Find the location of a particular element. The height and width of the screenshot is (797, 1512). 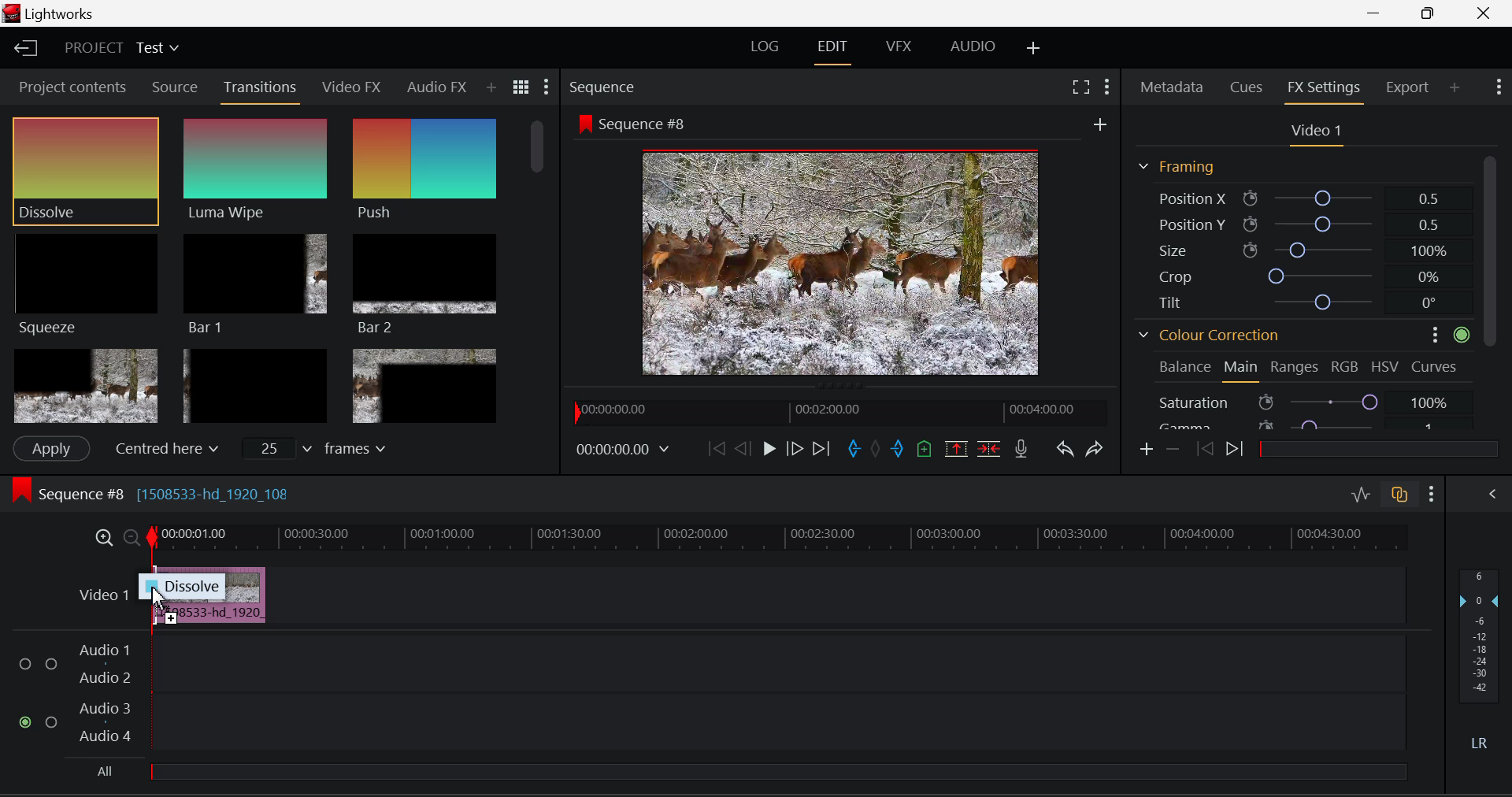

Go Forward is located at coordinates (794, 451).